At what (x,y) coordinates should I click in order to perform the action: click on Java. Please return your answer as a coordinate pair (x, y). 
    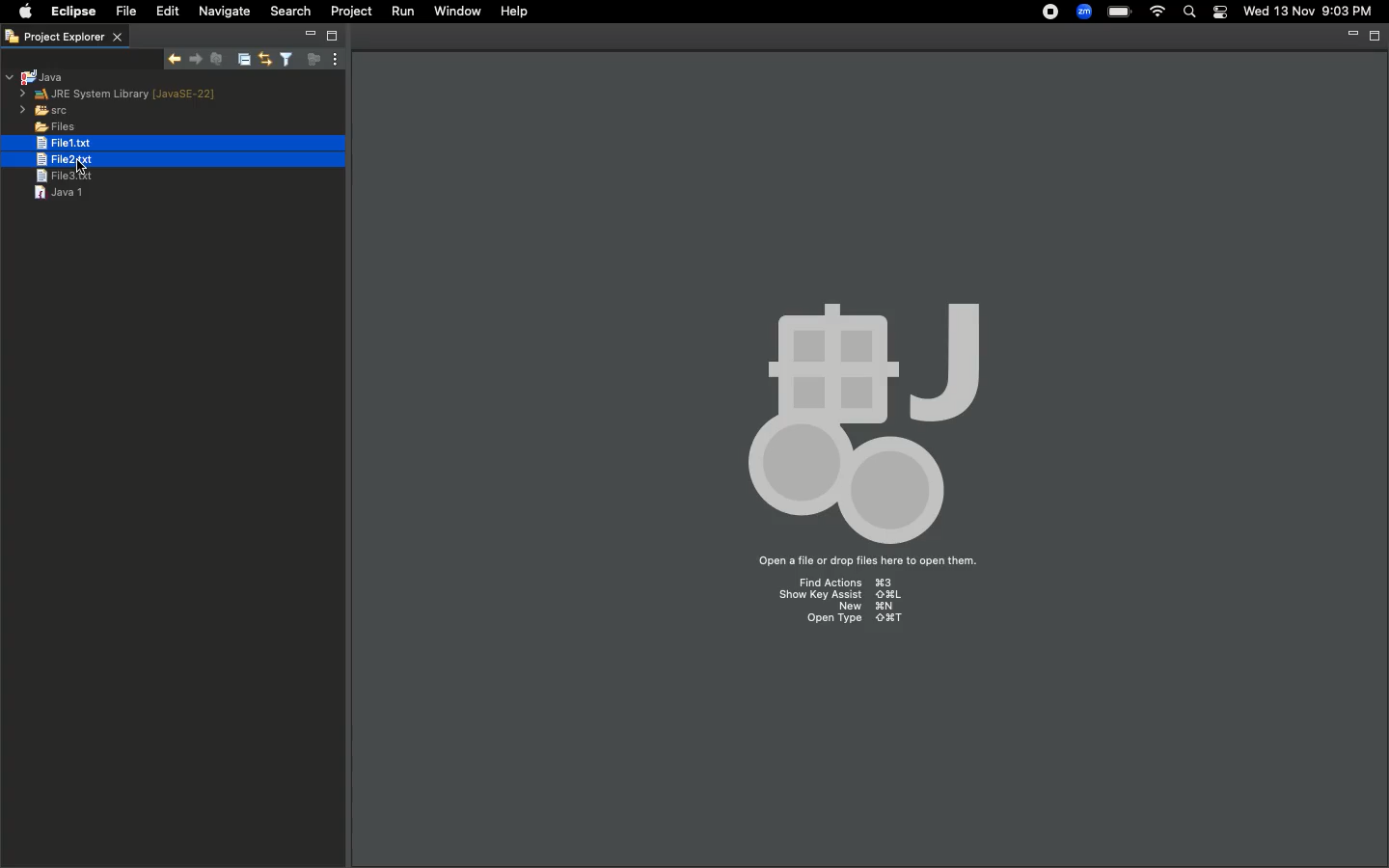
    Looking at the image, I should click on (38, 77).